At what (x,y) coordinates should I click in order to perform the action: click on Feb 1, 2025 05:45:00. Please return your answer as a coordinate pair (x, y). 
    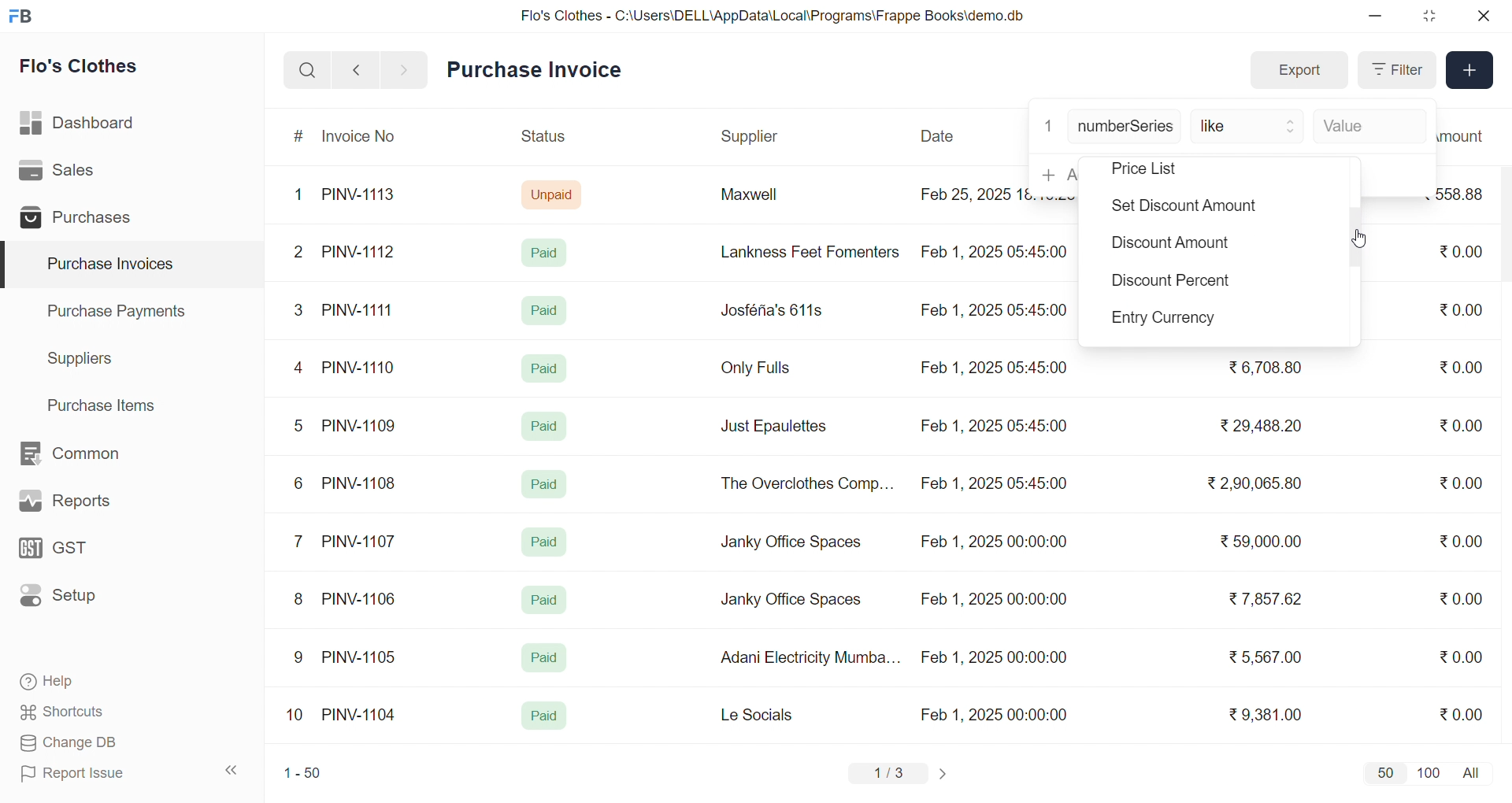
    Looking at the image, I should click on (996, 368).